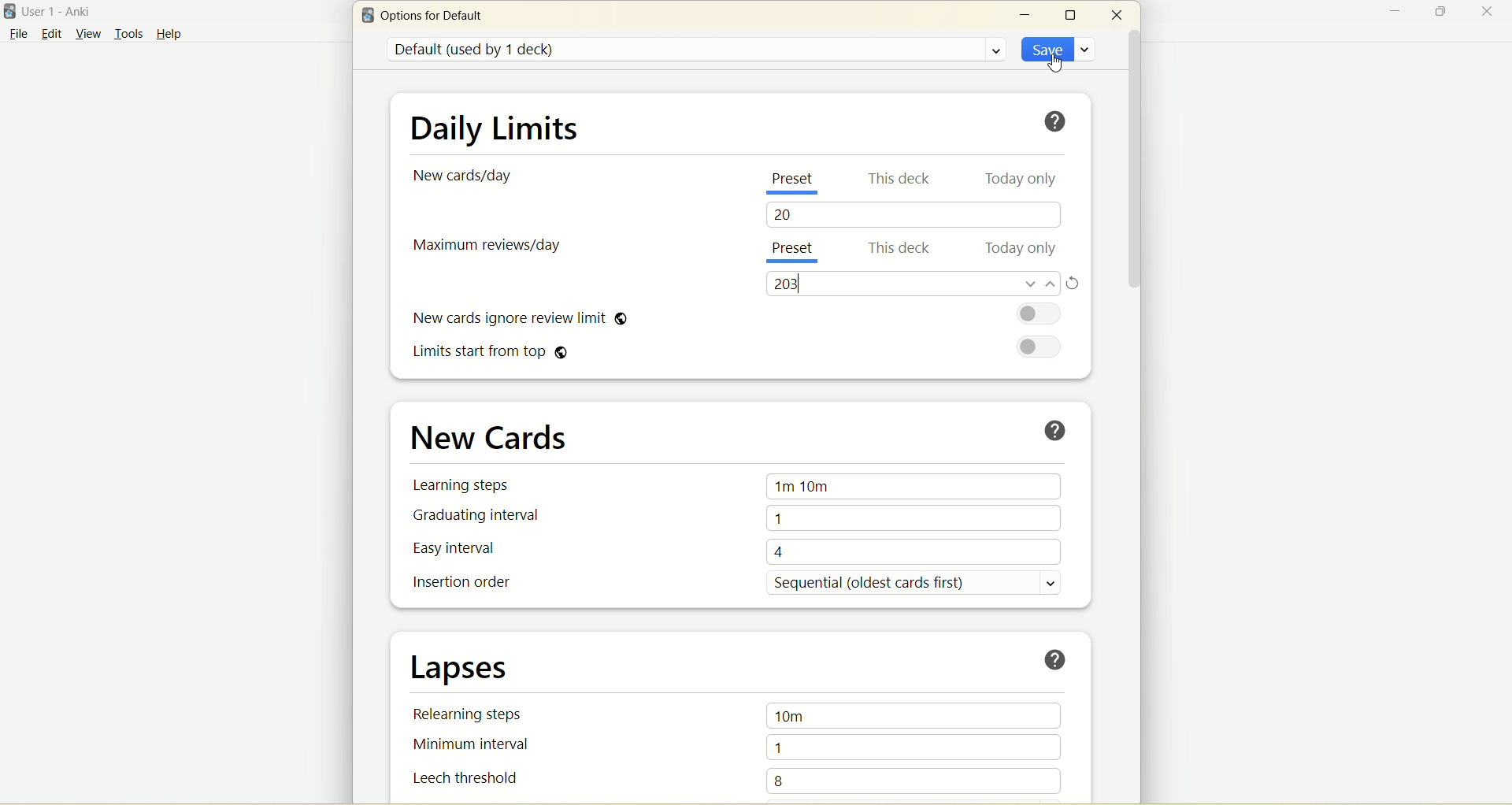  I want to click on minimize, so click(1395, 9).